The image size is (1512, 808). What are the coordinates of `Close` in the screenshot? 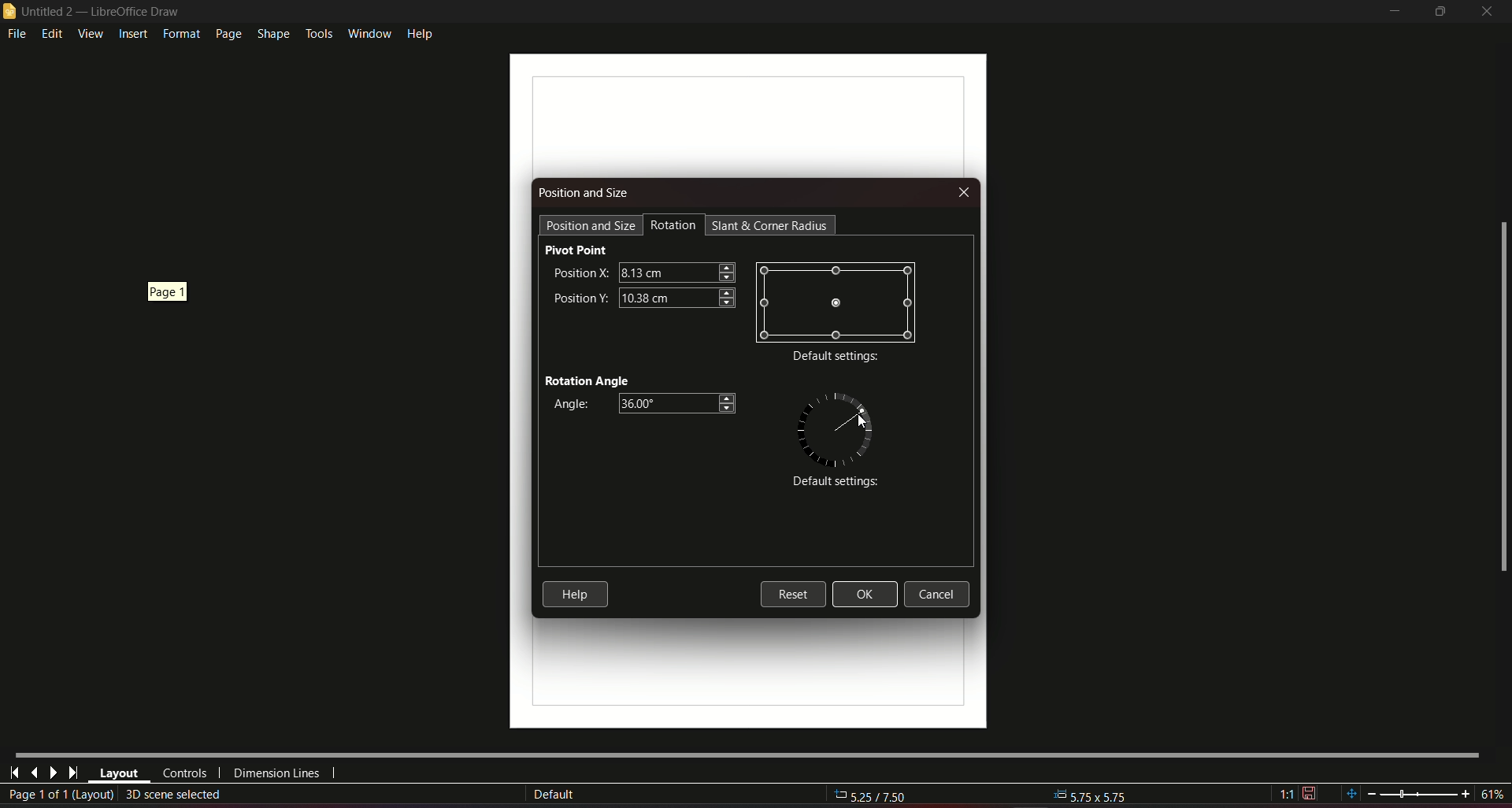 It's located at (962, 193).